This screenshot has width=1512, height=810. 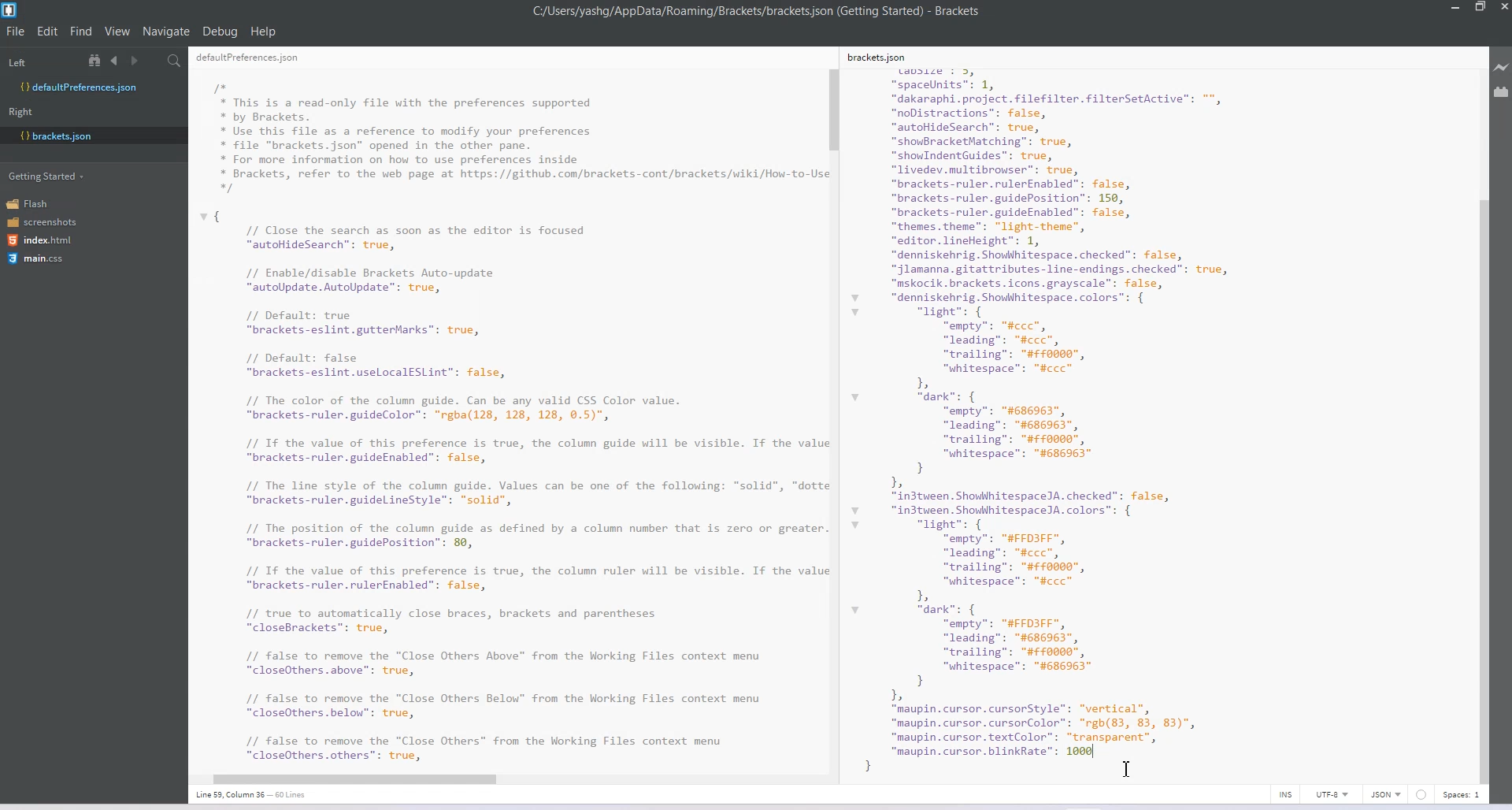 I want to click on Live Preview, so click(x=1502, y=68).